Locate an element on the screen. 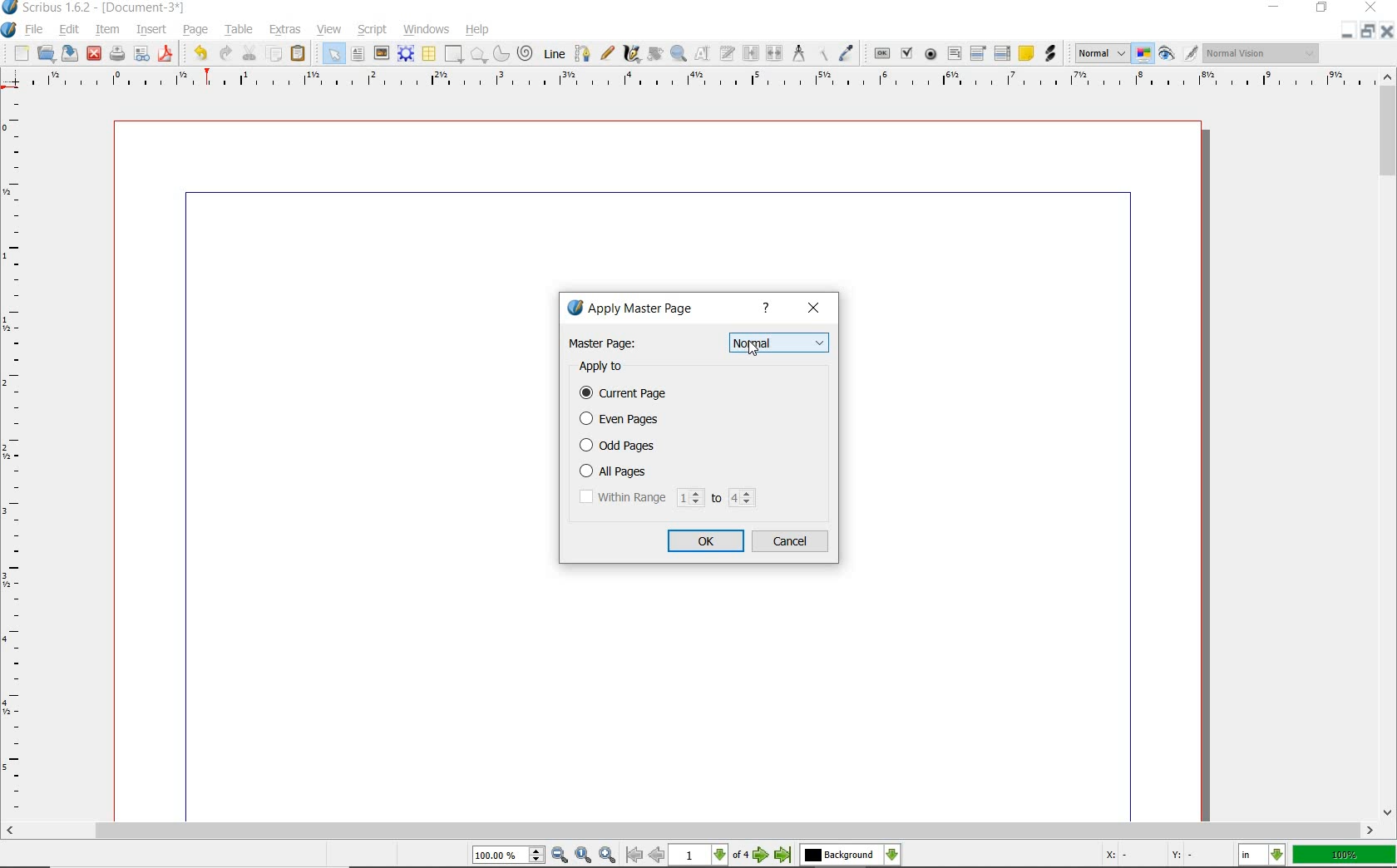 The image size is (1397, 868). Edit in preview mode is located at coordinates (1191, 54).